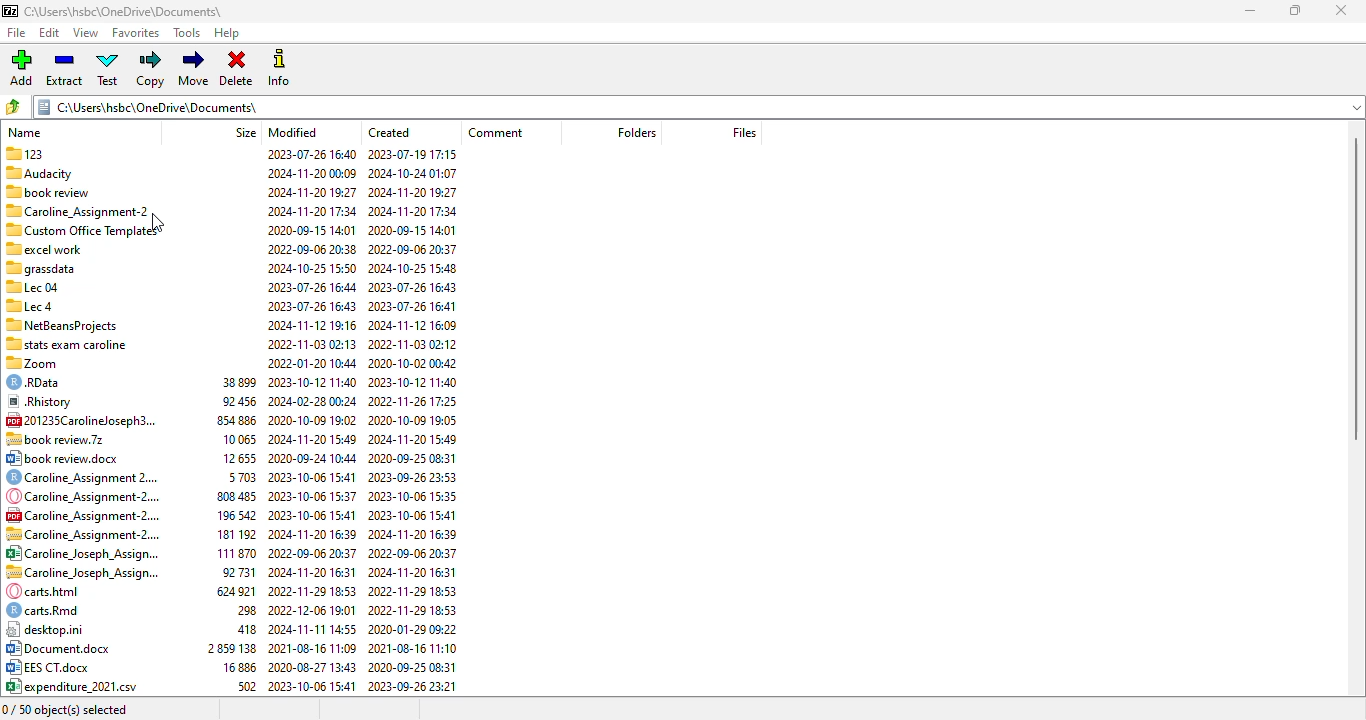  I want to click on 418, so click(242, 629).